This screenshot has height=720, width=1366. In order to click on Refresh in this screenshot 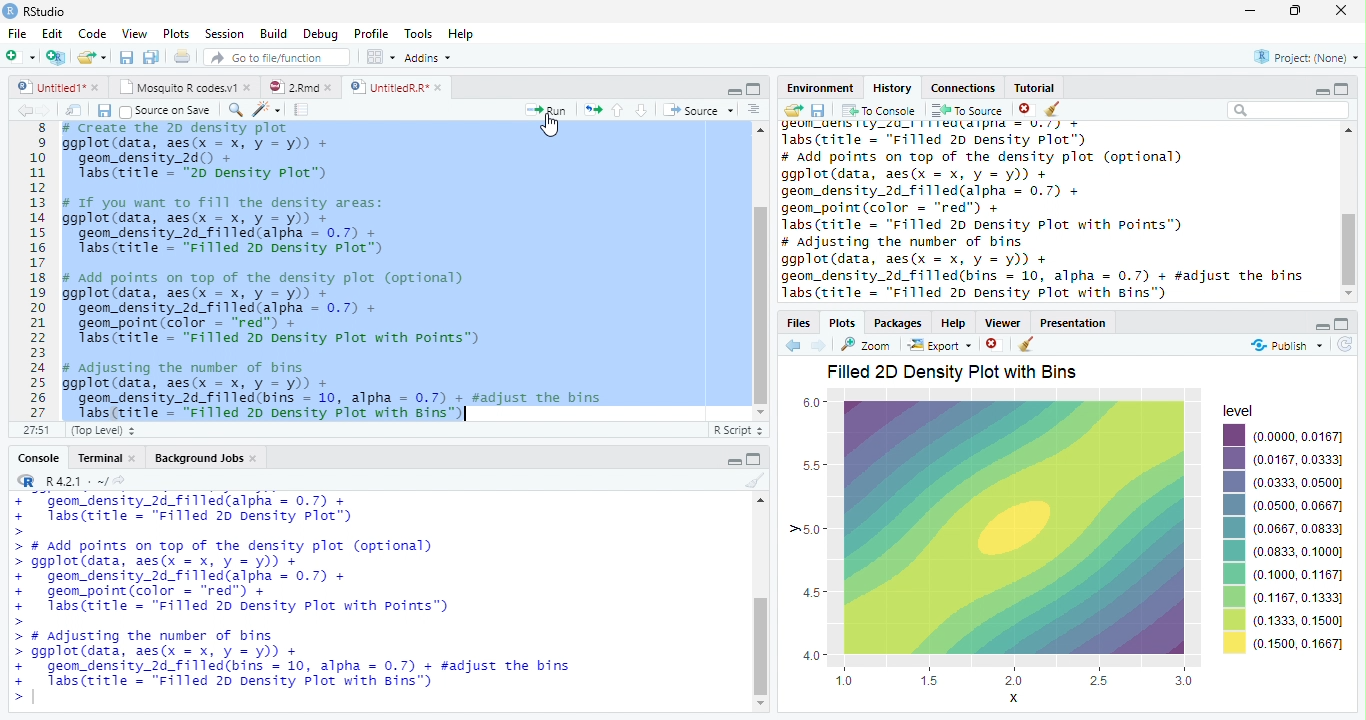, I will do `click(1348, 345)`.